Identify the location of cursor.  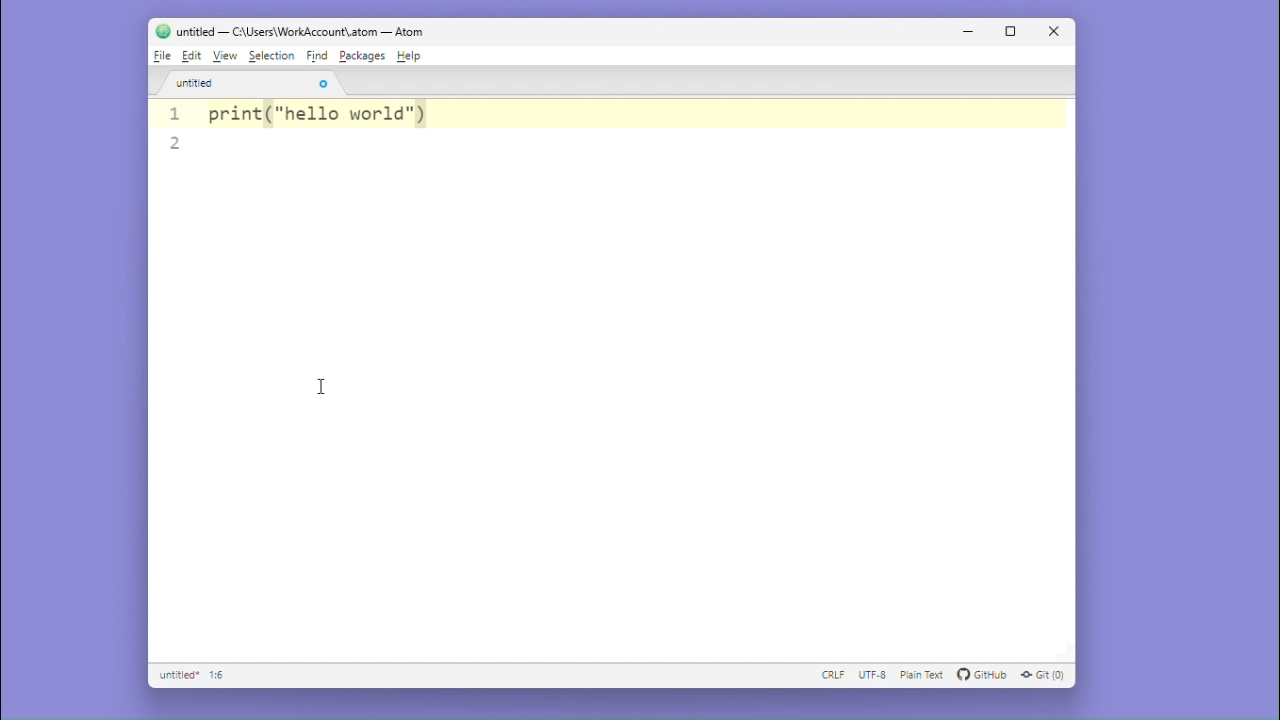
(328, 383).